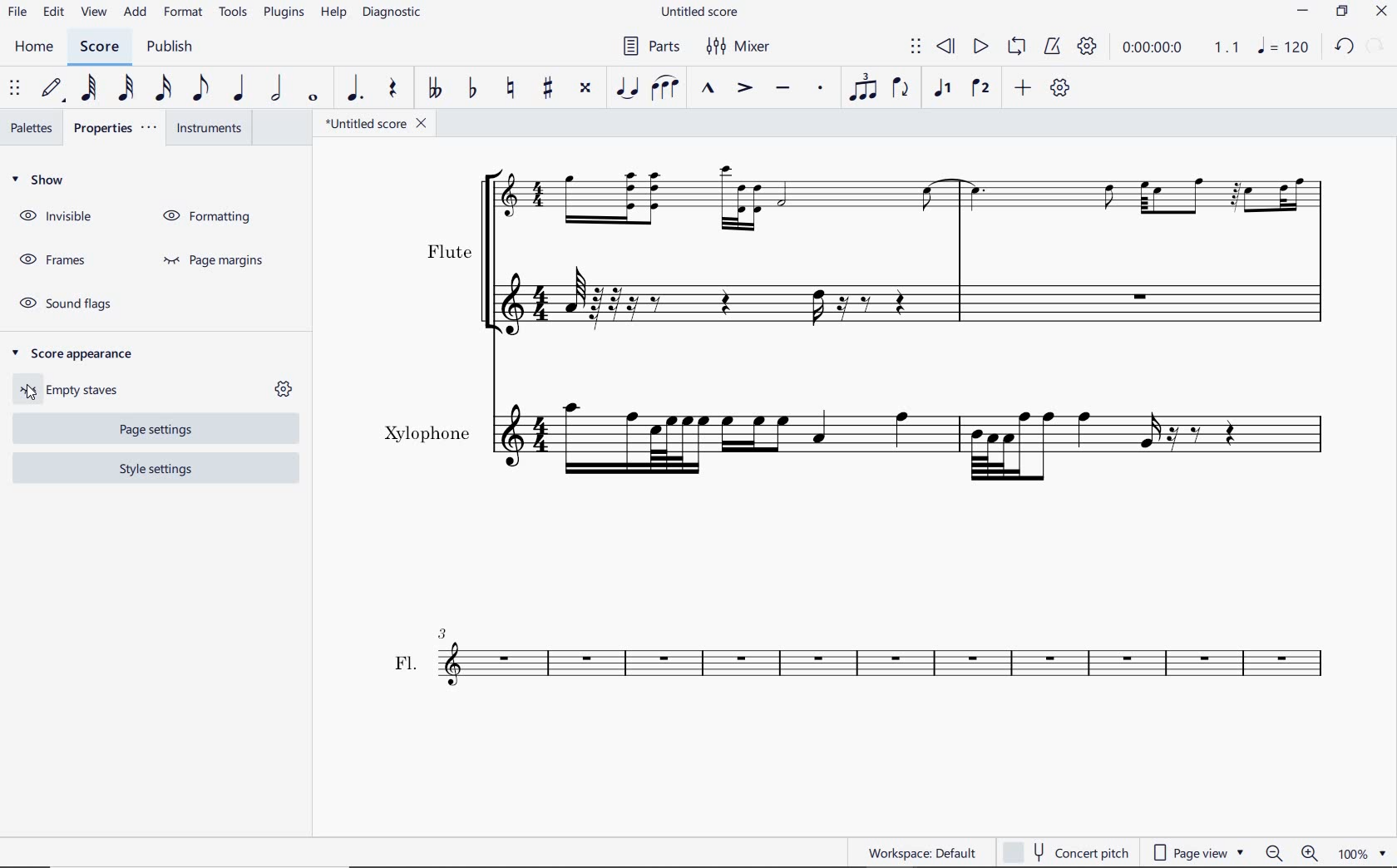  Describe the element at coordinates (916, 47) in the screenshot. I see `SELECT TO MOVE` at that location.